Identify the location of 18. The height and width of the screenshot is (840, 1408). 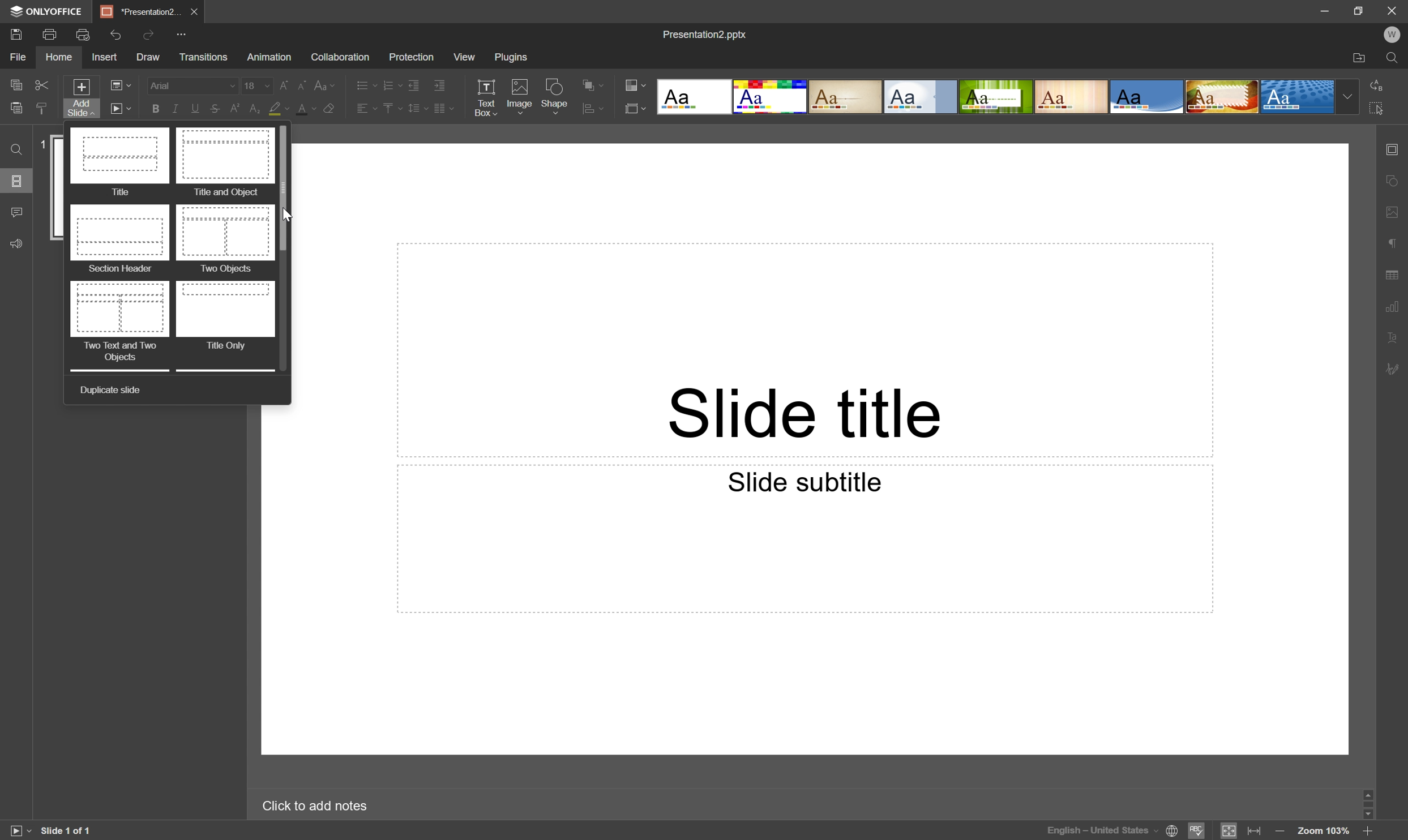
(255, 83).